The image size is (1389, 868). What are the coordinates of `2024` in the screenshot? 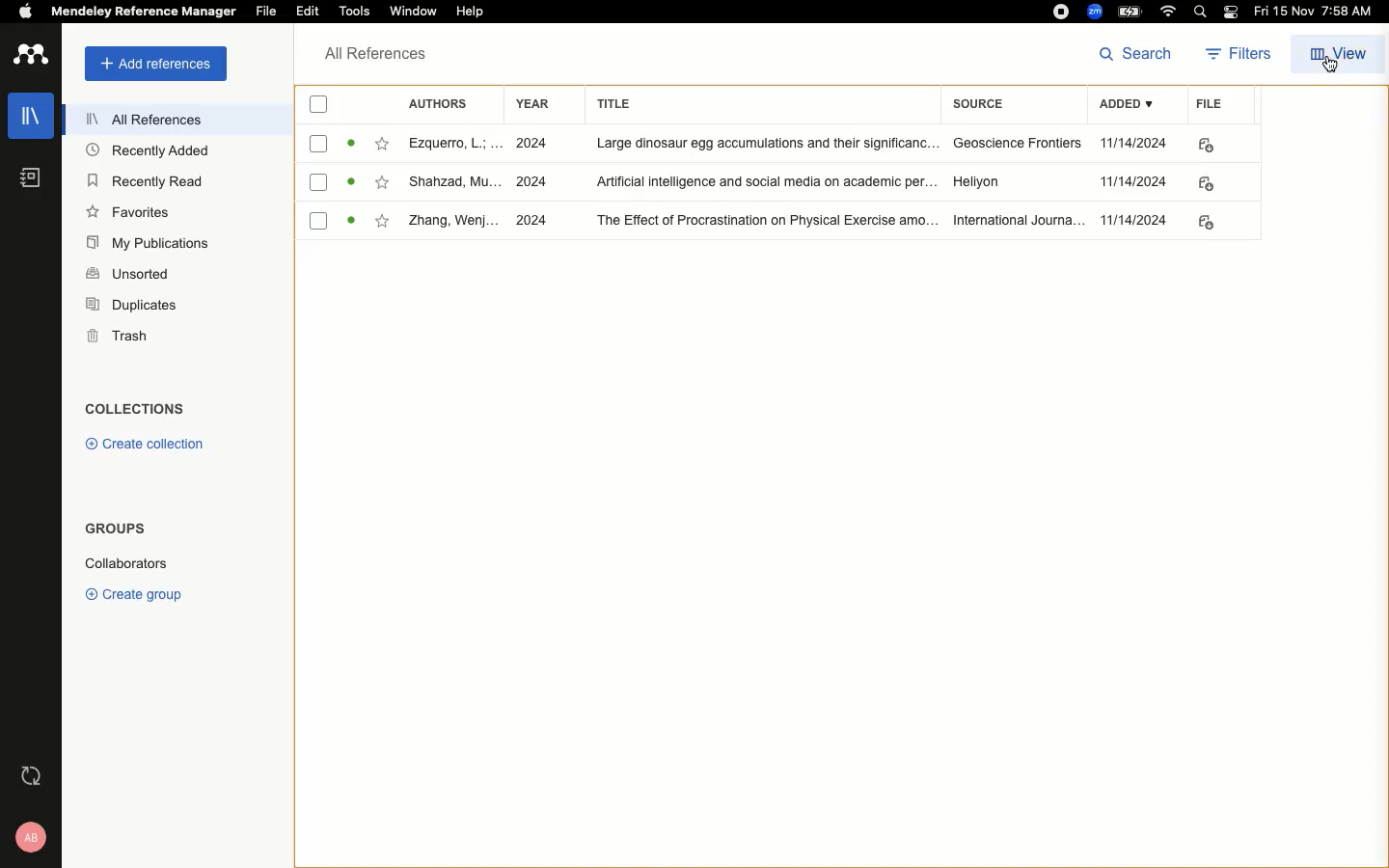 It's located at (534, 144).